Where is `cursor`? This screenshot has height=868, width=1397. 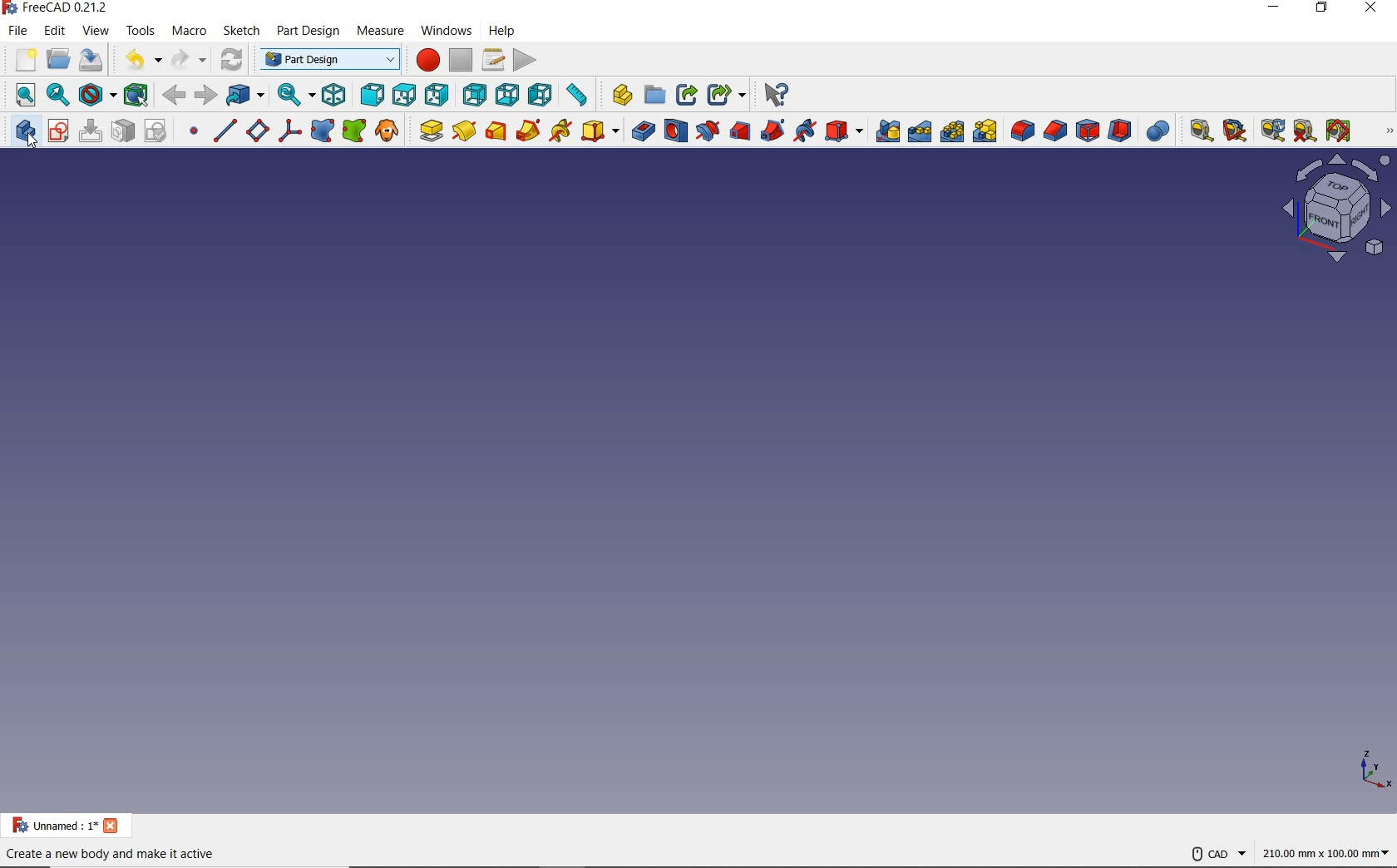 cursor is located at coordinates (37, 146).